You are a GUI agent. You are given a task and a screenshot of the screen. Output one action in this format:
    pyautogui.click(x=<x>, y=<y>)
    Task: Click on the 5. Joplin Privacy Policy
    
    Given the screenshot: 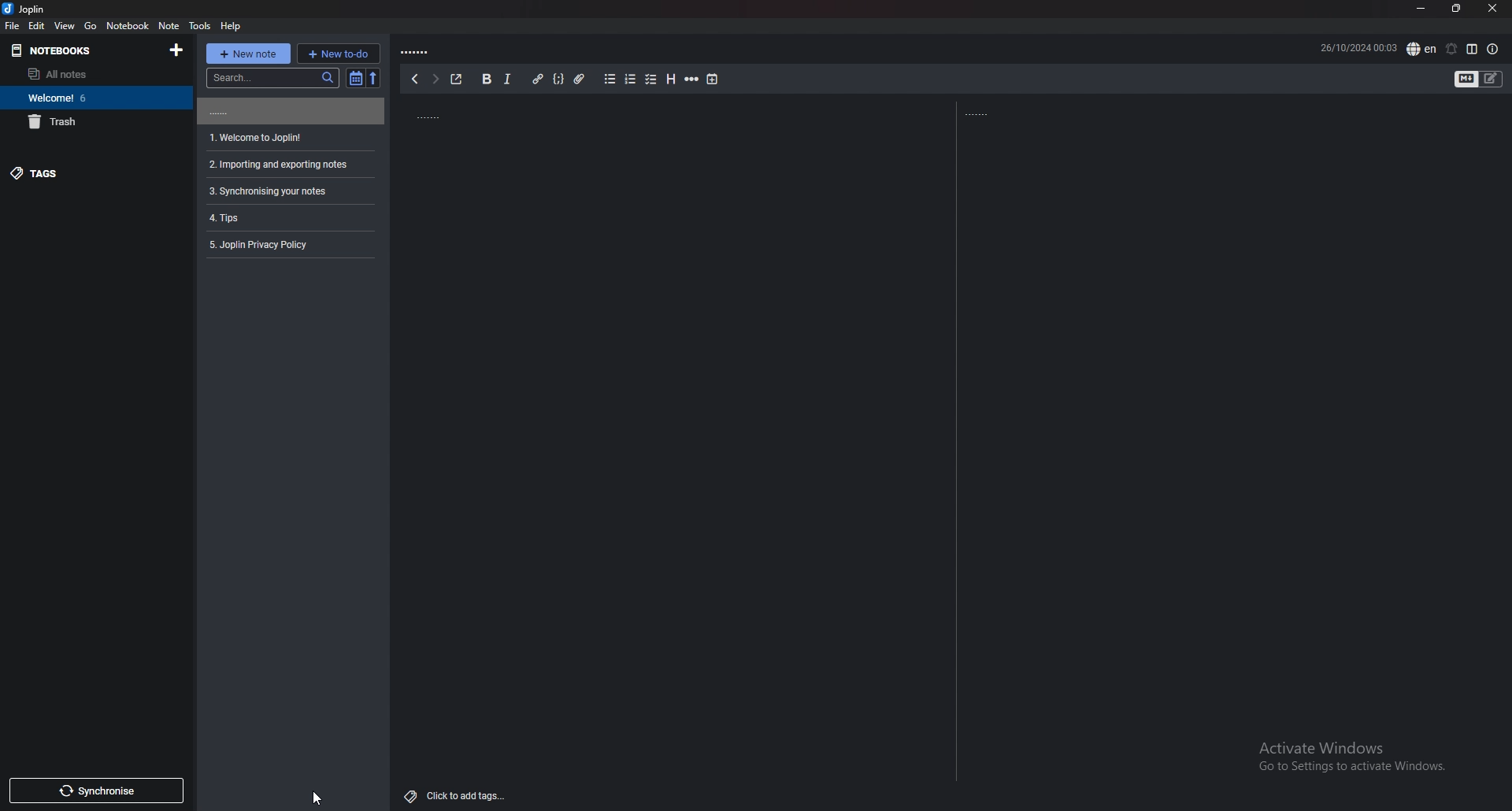 What is the action you would take?
    pyautogui.click(x=265, y=245)
    